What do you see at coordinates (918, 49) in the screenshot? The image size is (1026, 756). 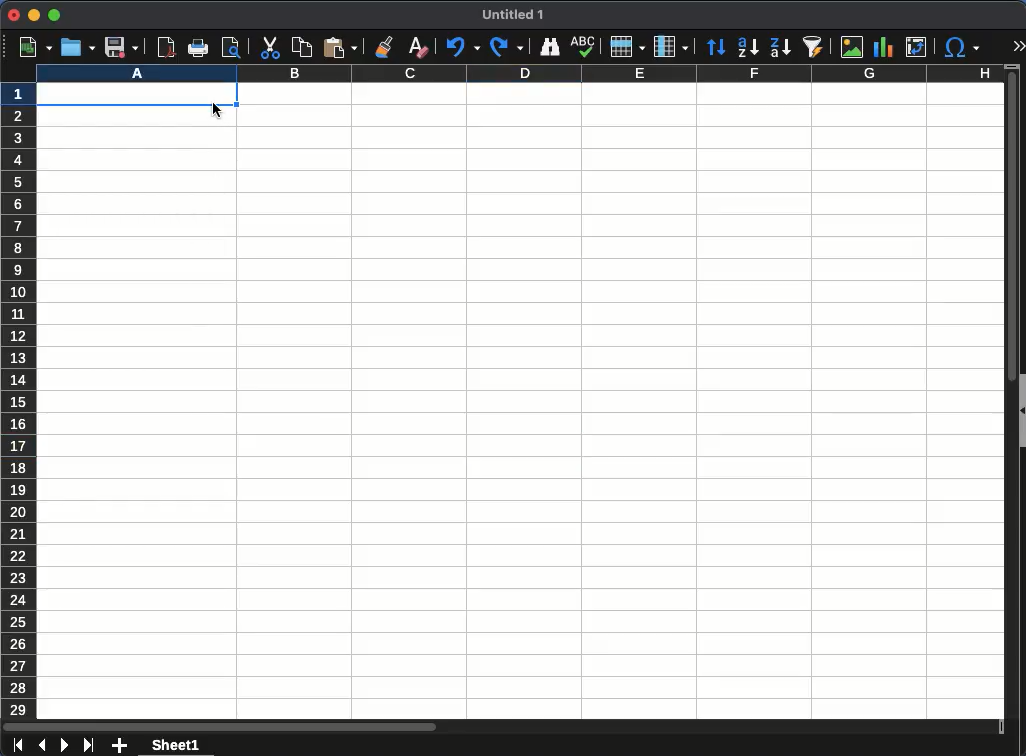 I see `pivot table` at bounding box center [918, 49].